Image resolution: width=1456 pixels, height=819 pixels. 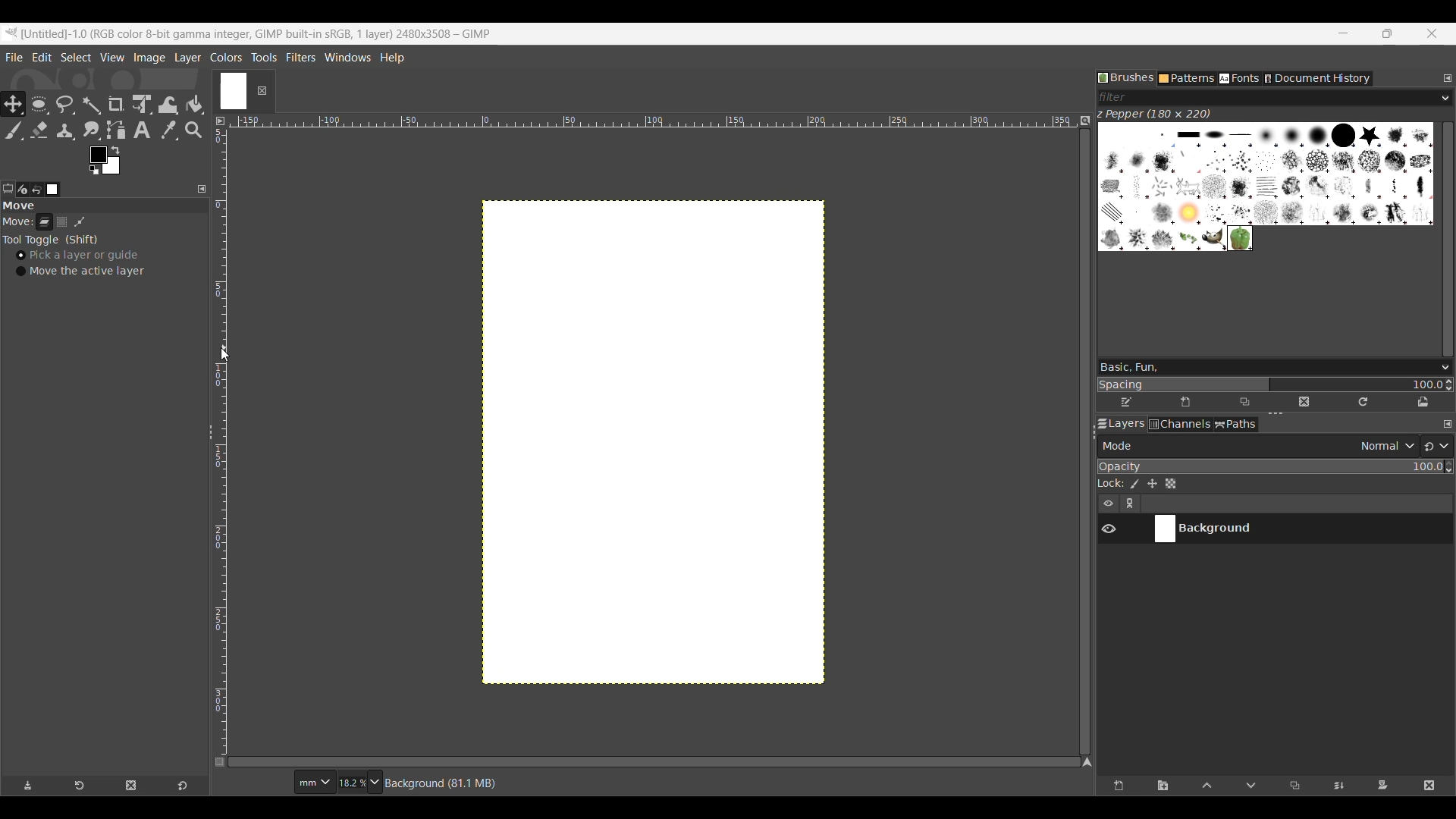 What do you see at coordinates (11, 102) in the screenshot?
I see `Move tool, current selection highlighted` at bounding box center [11, 102].